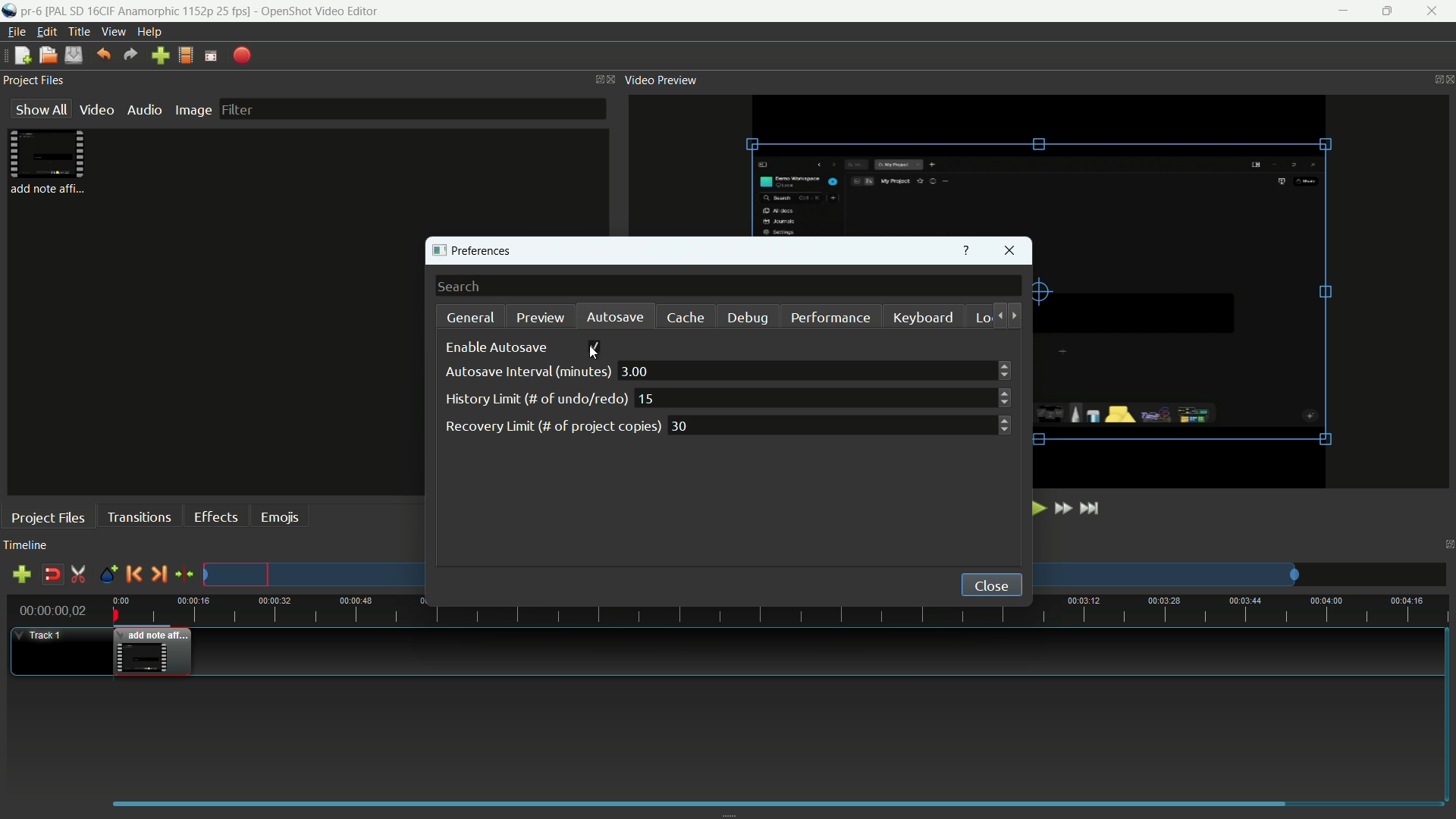  I want to click on app name, so click(322, 12).